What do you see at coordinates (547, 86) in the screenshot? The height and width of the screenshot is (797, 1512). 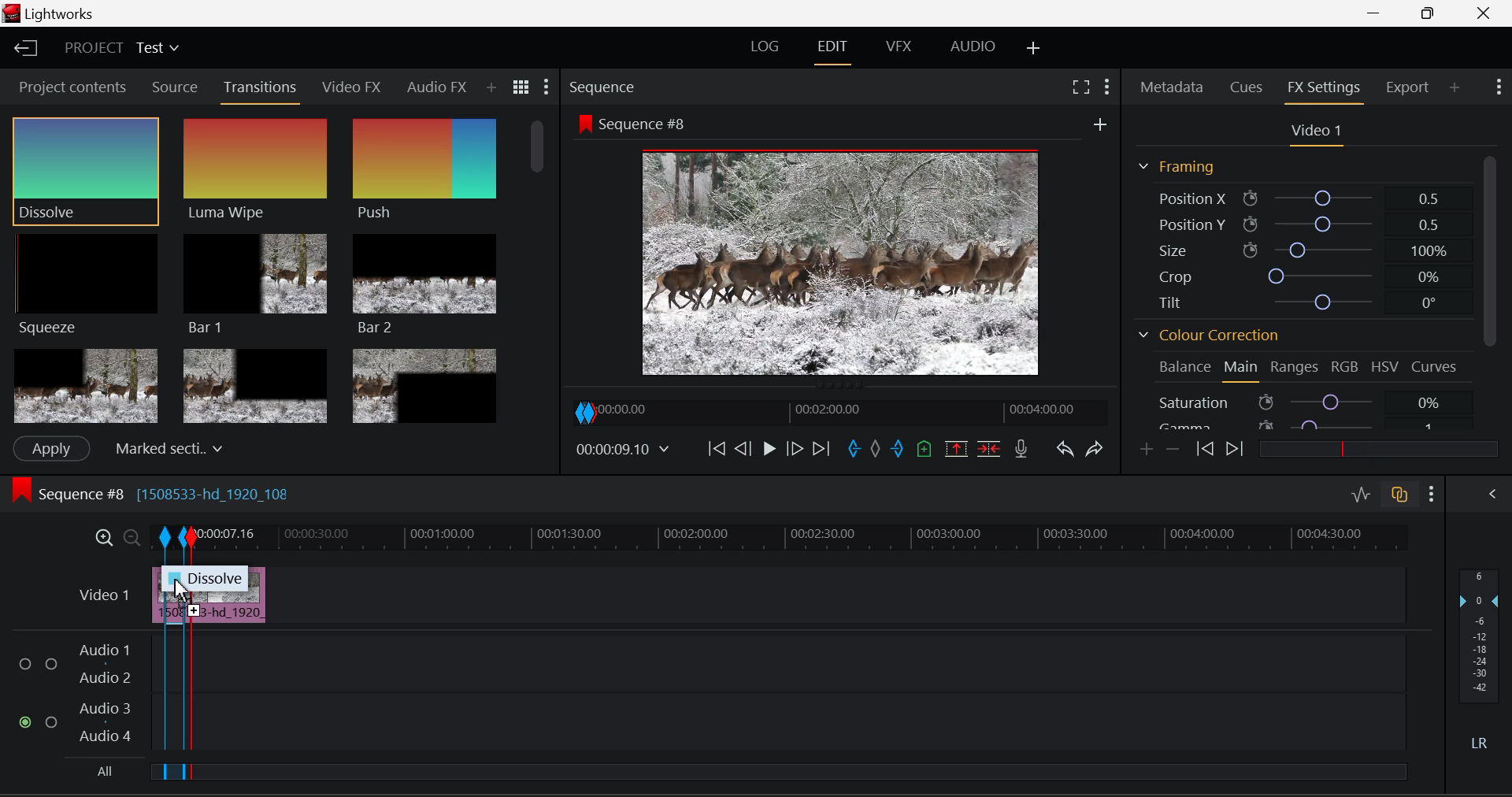 I see `Show Settings` at bounding box center [547, 86].